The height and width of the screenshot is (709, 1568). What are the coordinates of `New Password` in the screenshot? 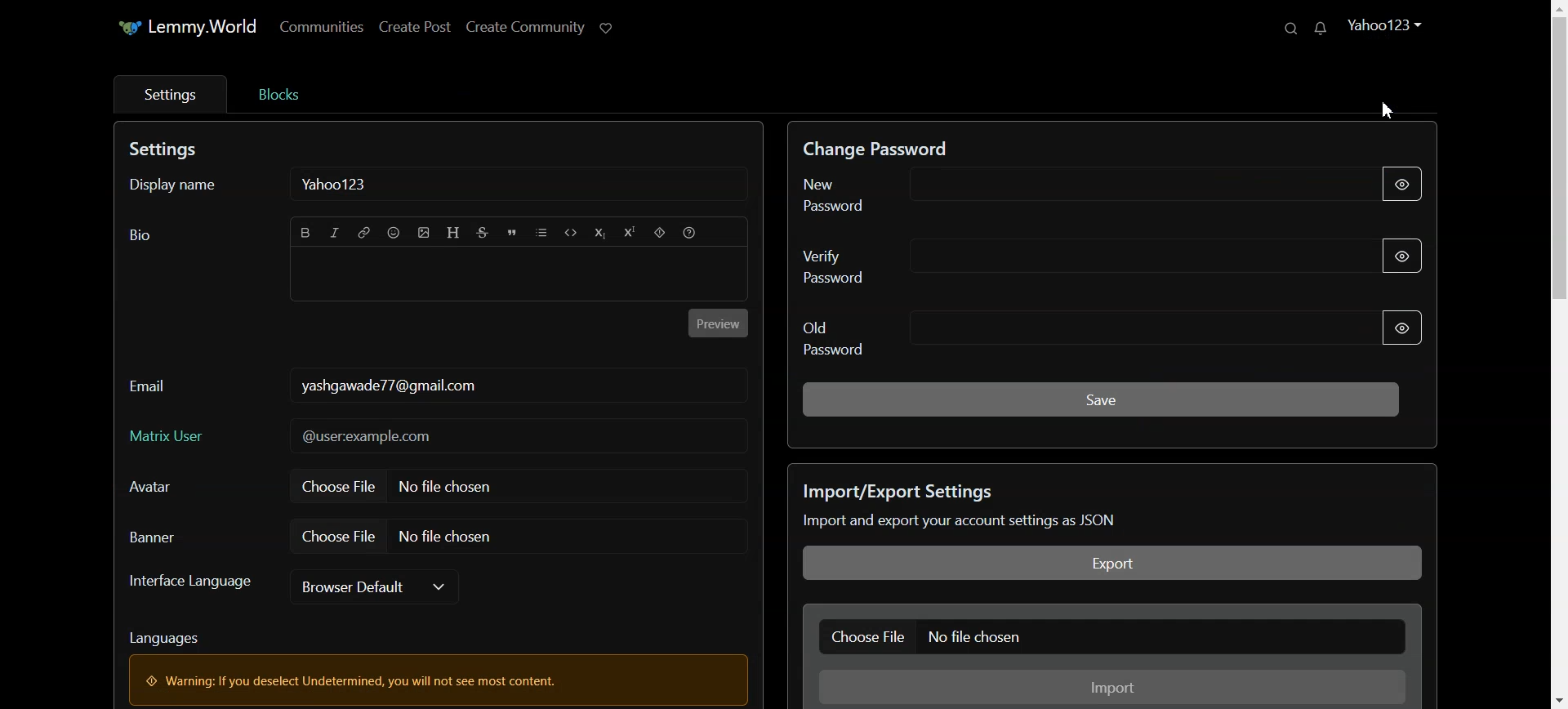 It's located at (1084, 187).